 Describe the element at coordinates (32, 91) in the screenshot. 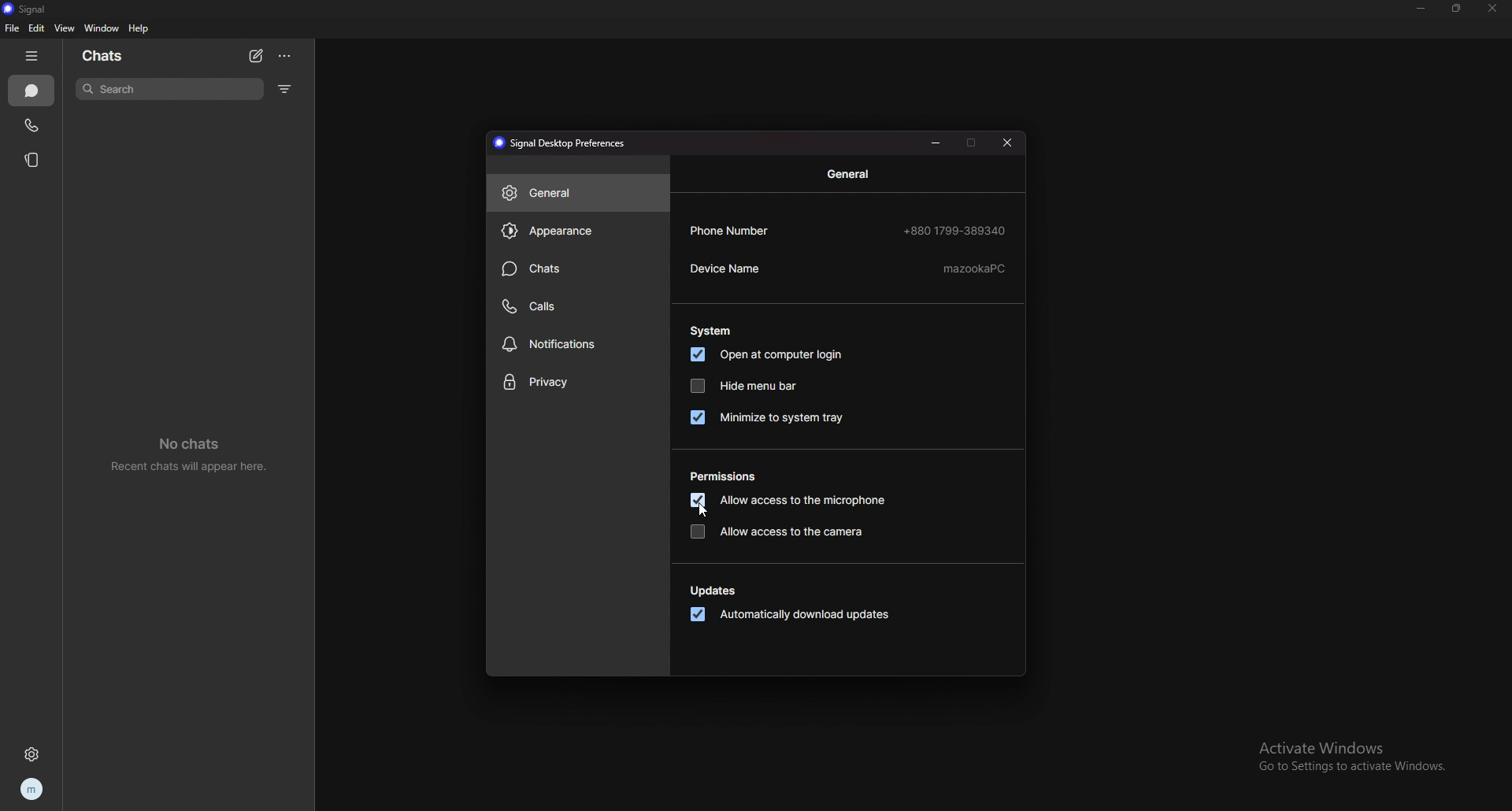

I see `chats` at that location.